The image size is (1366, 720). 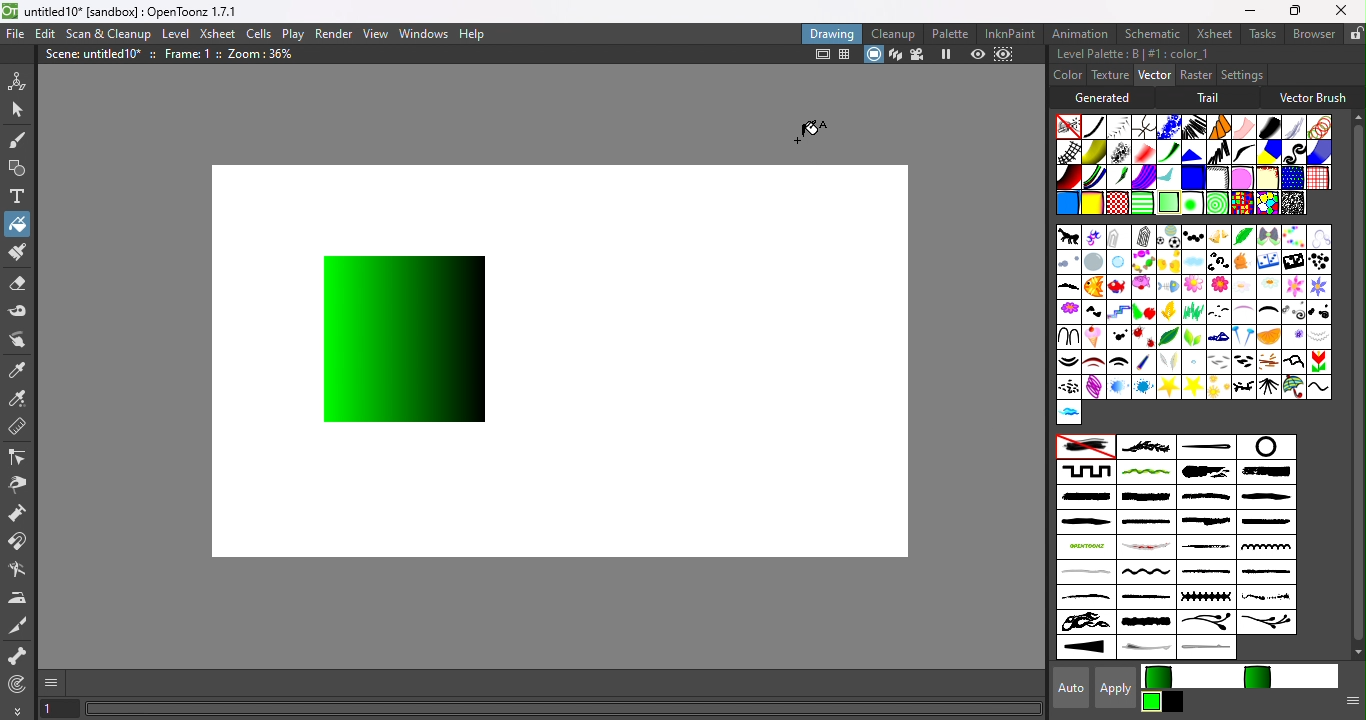 What do you see at coordinates (17, 571) in the screenshot?
I see `Cutter tool` at bounding box center [17, 571].